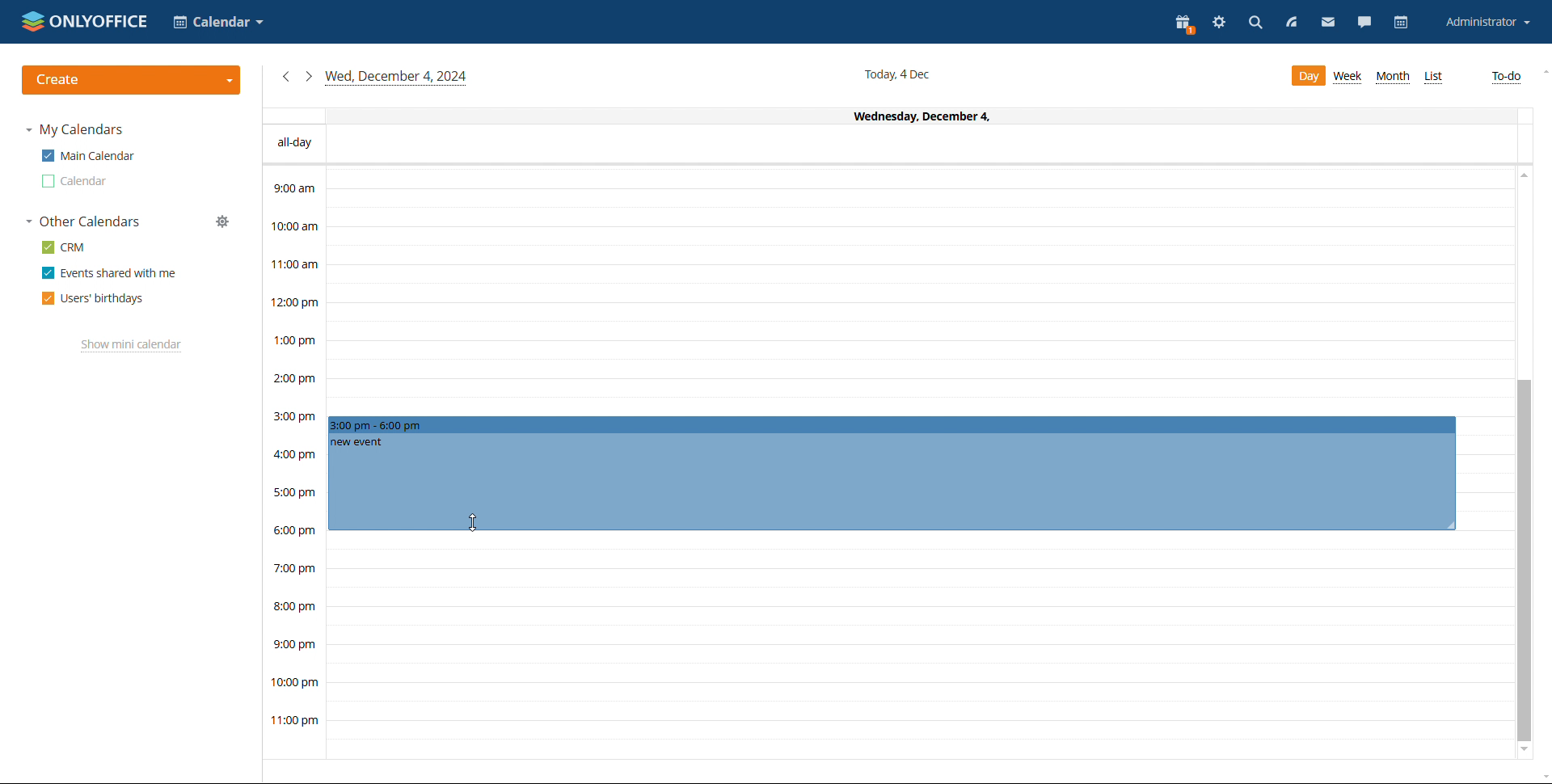 The image size is (1552, 784). Describe the element at coordinates (1365, 22) in the screenshot. I see `chat` at that location.